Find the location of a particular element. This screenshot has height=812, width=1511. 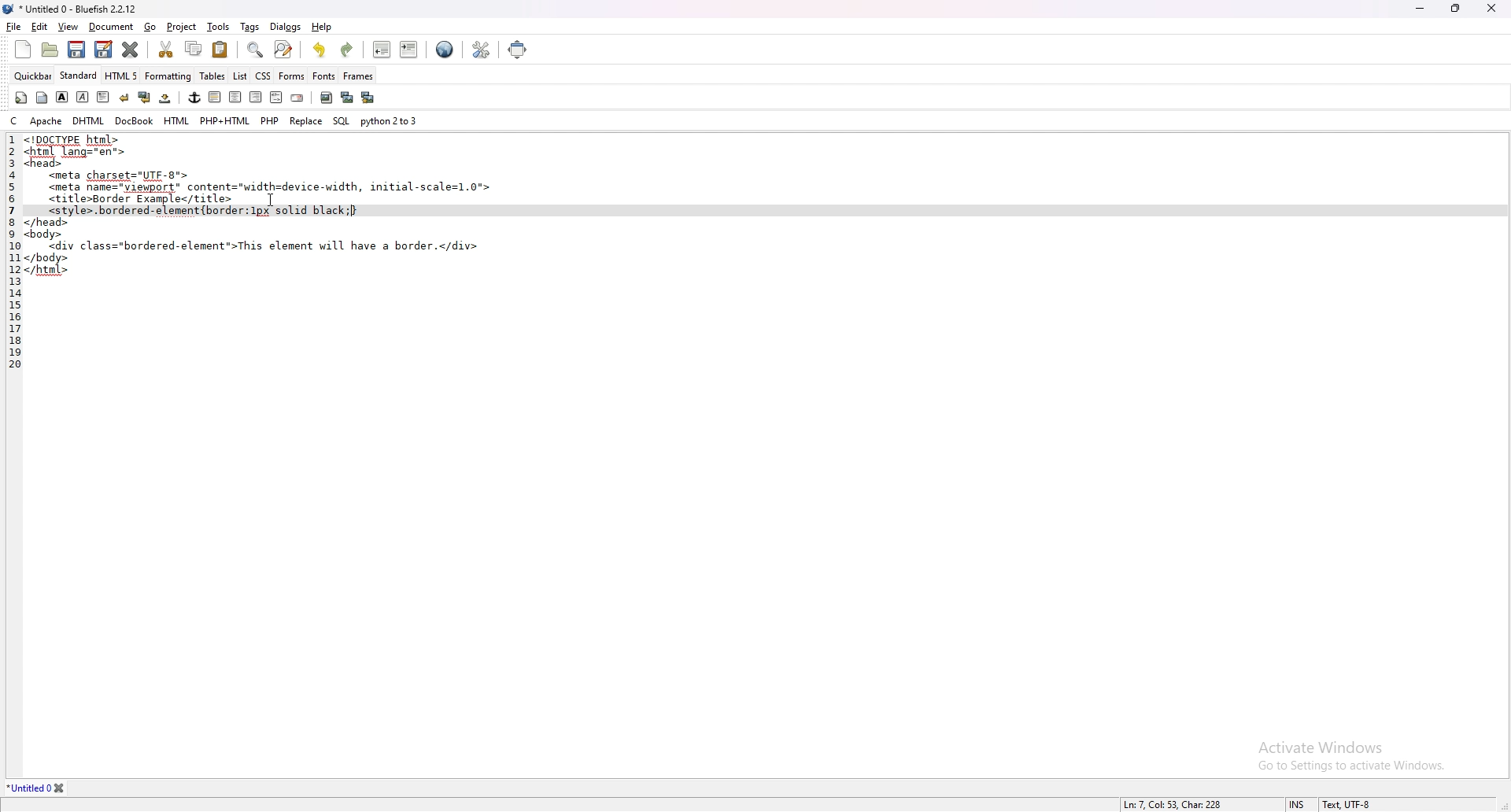

left justify is located at coordinates (216, 97).